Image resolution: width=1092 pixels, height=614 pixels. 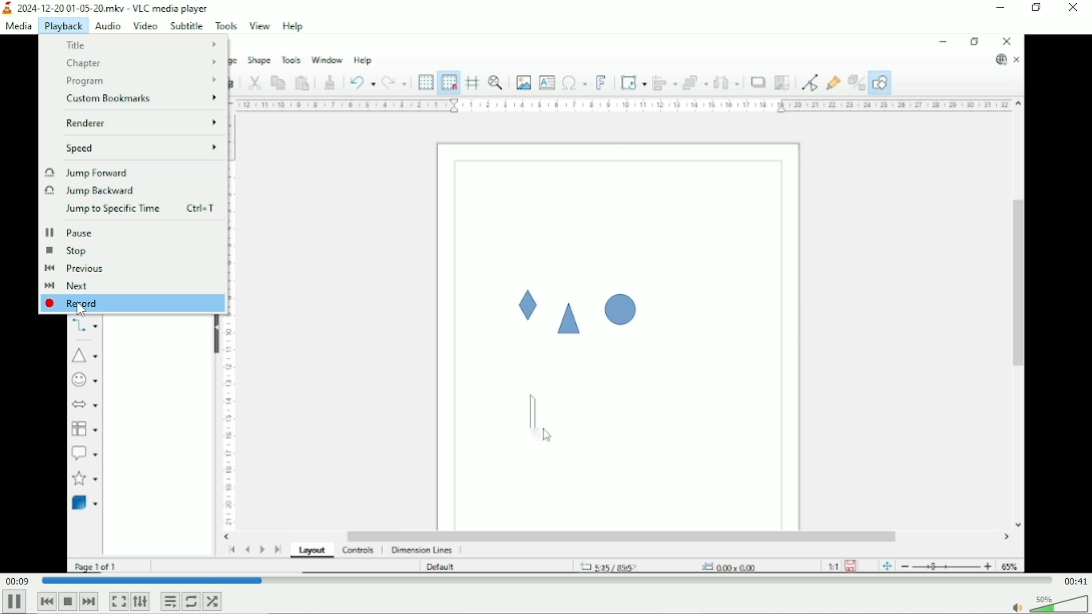 What do you see at coordinates (1074, 581) in the screenshot?
I see `Total duration` at bounding box center [1074, 581].